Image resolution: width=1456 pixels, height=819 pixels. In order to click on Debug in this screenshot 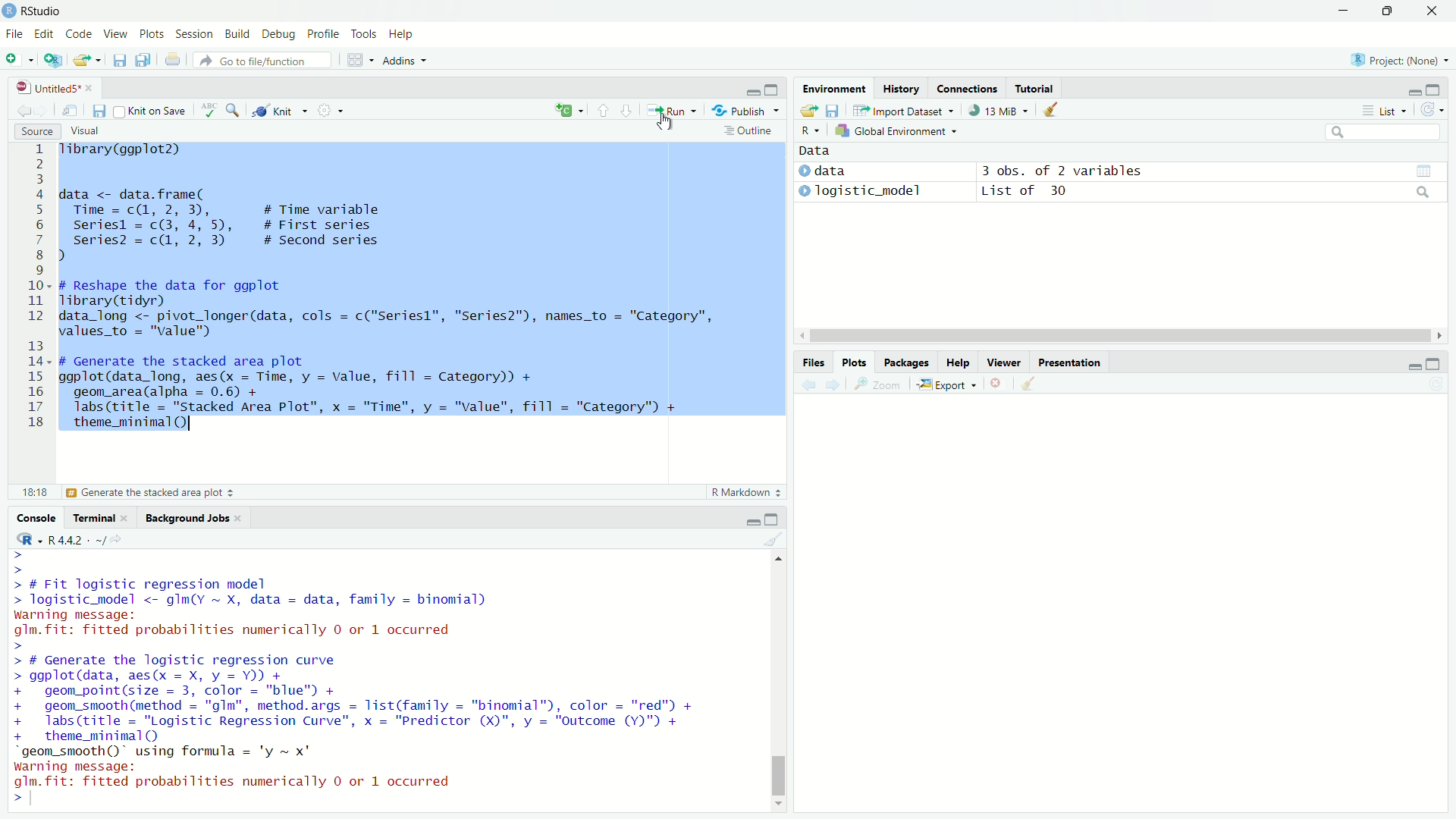, I will do `click(273, 32)`.